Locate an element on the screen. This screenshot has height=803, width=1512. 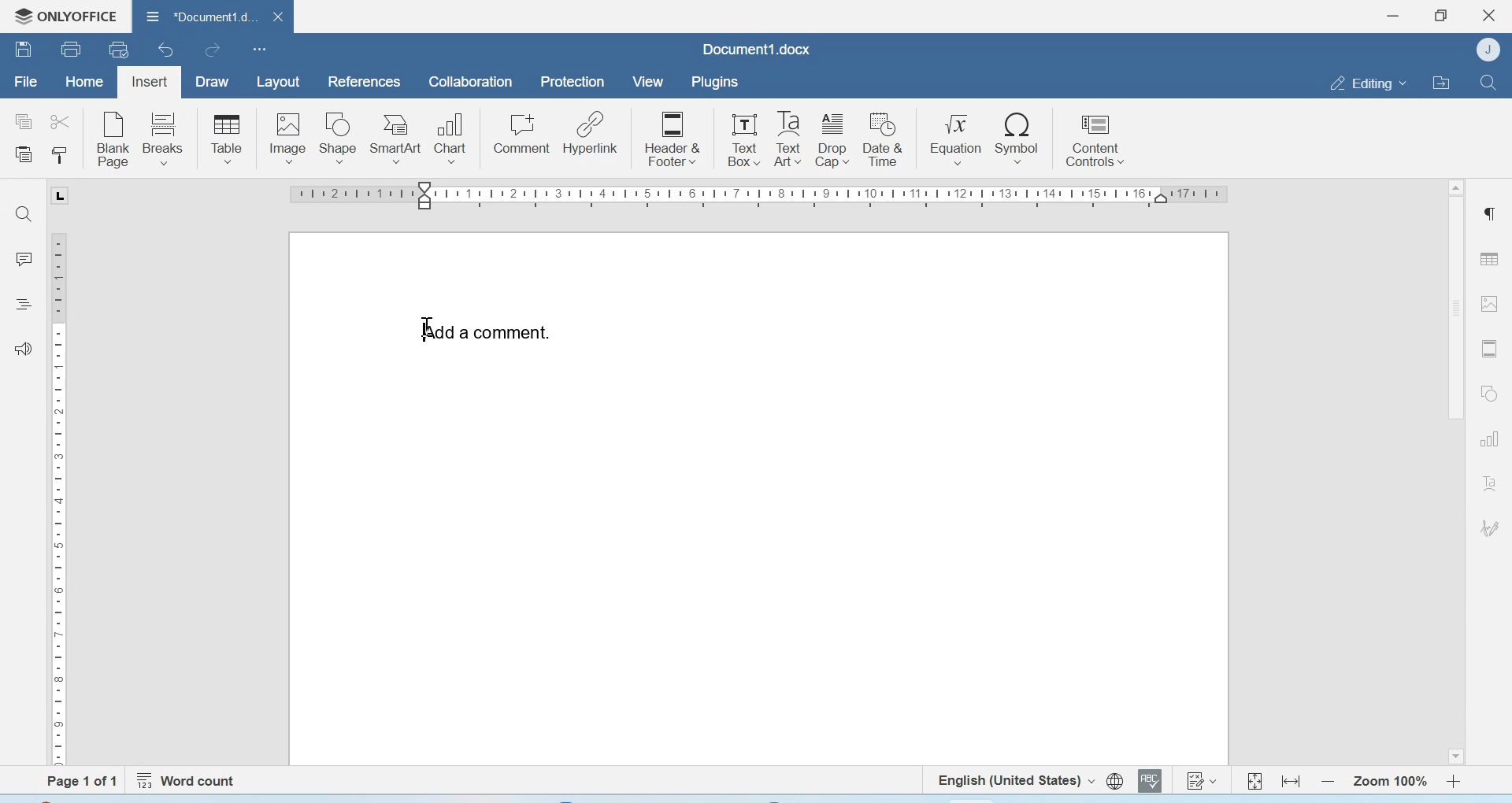
Feedback & Support is located at coordinates (24, 348).